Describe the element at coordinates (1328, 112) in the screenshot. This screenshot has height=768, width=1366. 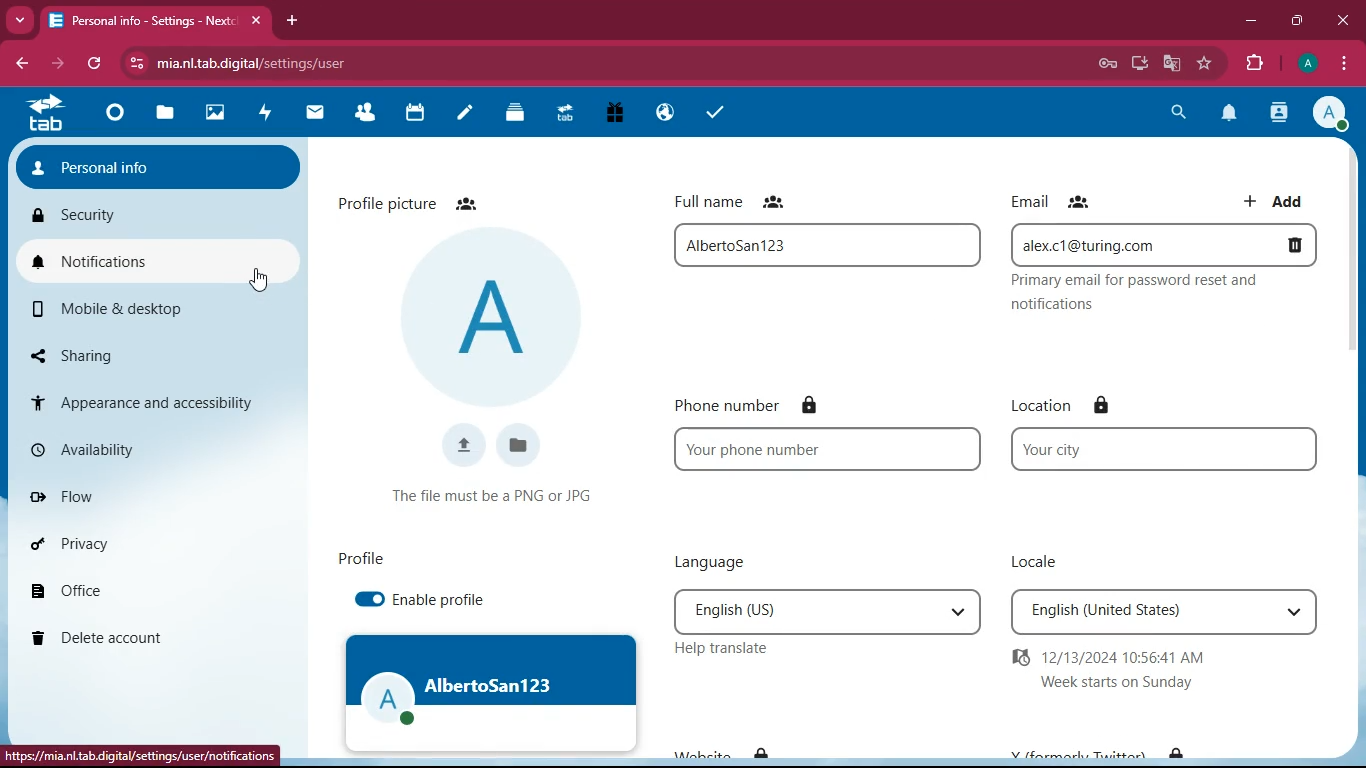
I see `Account` at that location.